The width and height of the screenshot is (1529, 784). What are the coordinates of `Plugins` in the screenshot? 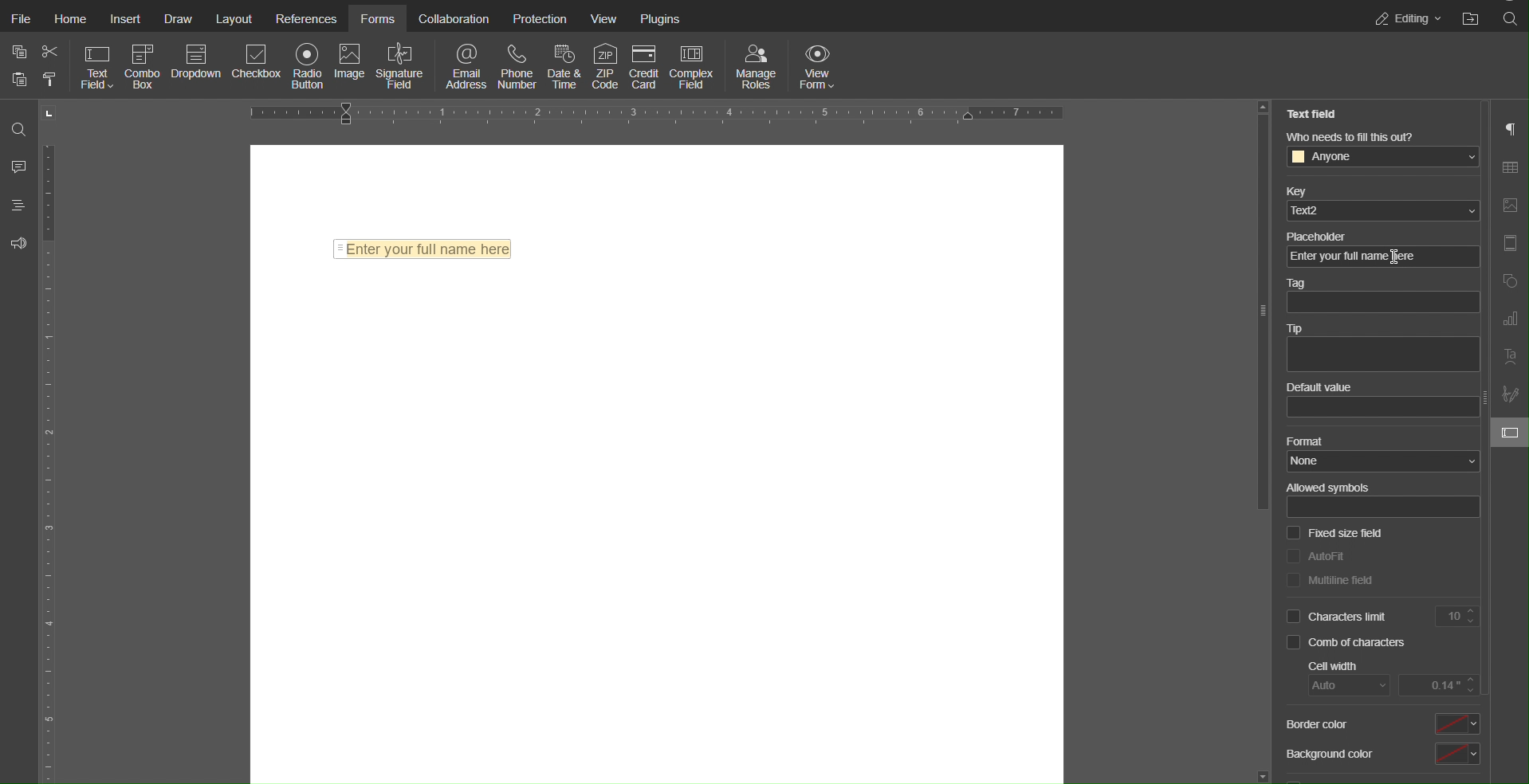 It's located at (660, 19).